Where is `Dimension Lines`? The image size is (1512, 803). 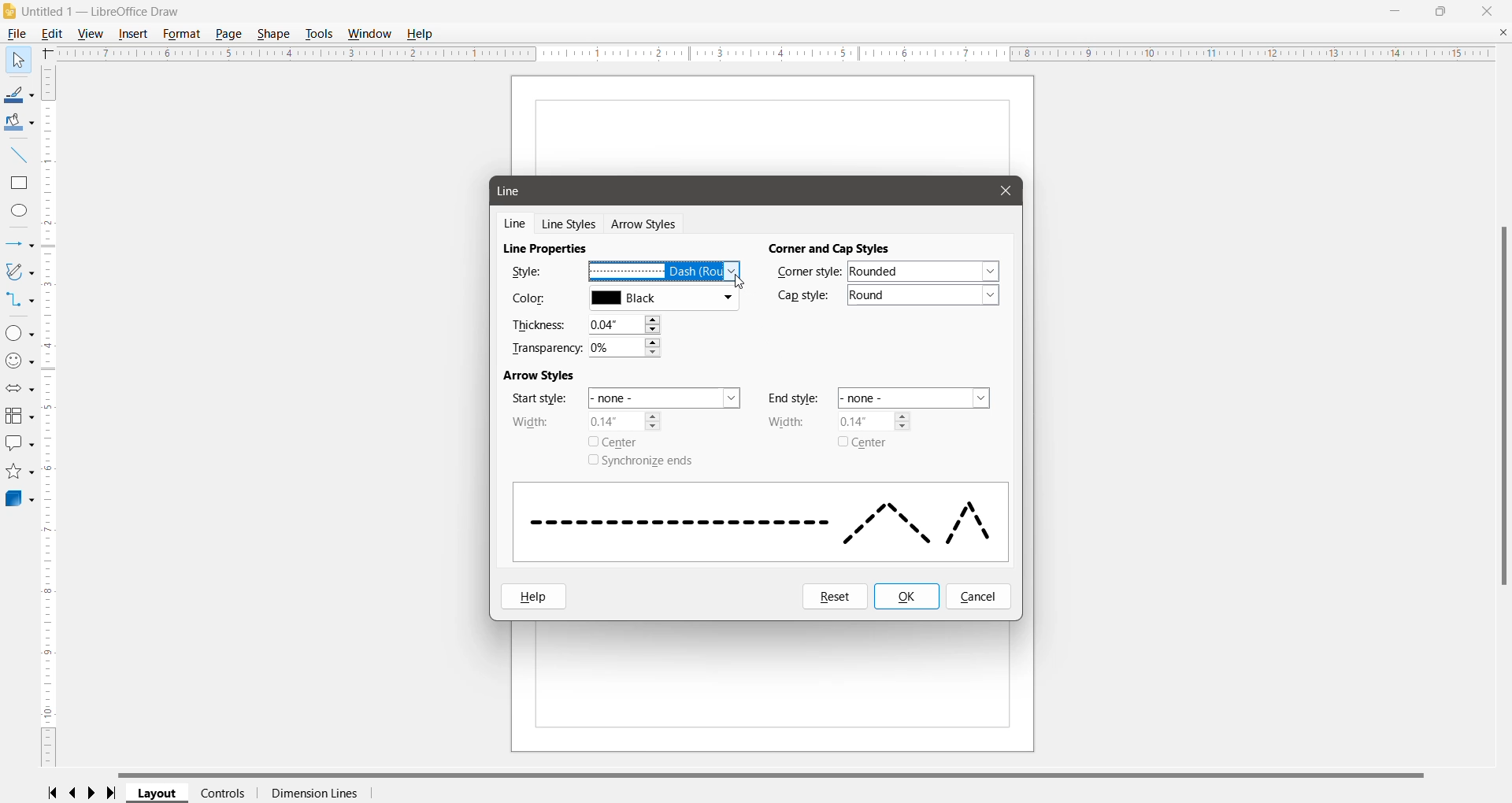 Dimension Lines is located at coordinates (314, 794).